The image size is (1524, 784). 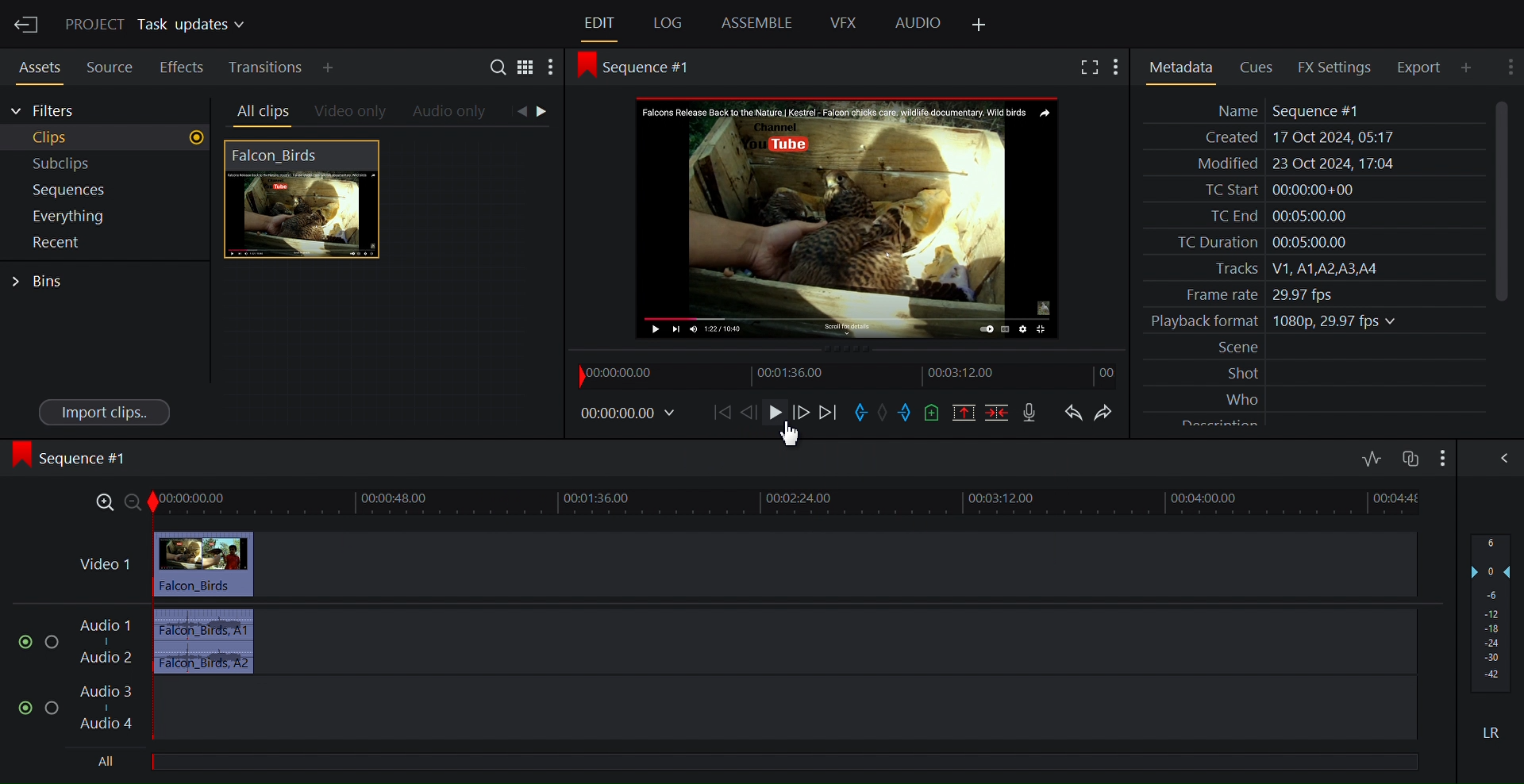 What do you see at coordinates (850, 217) in the screenshot?
I see `Media Viewer` at bounding box center [850, 217].